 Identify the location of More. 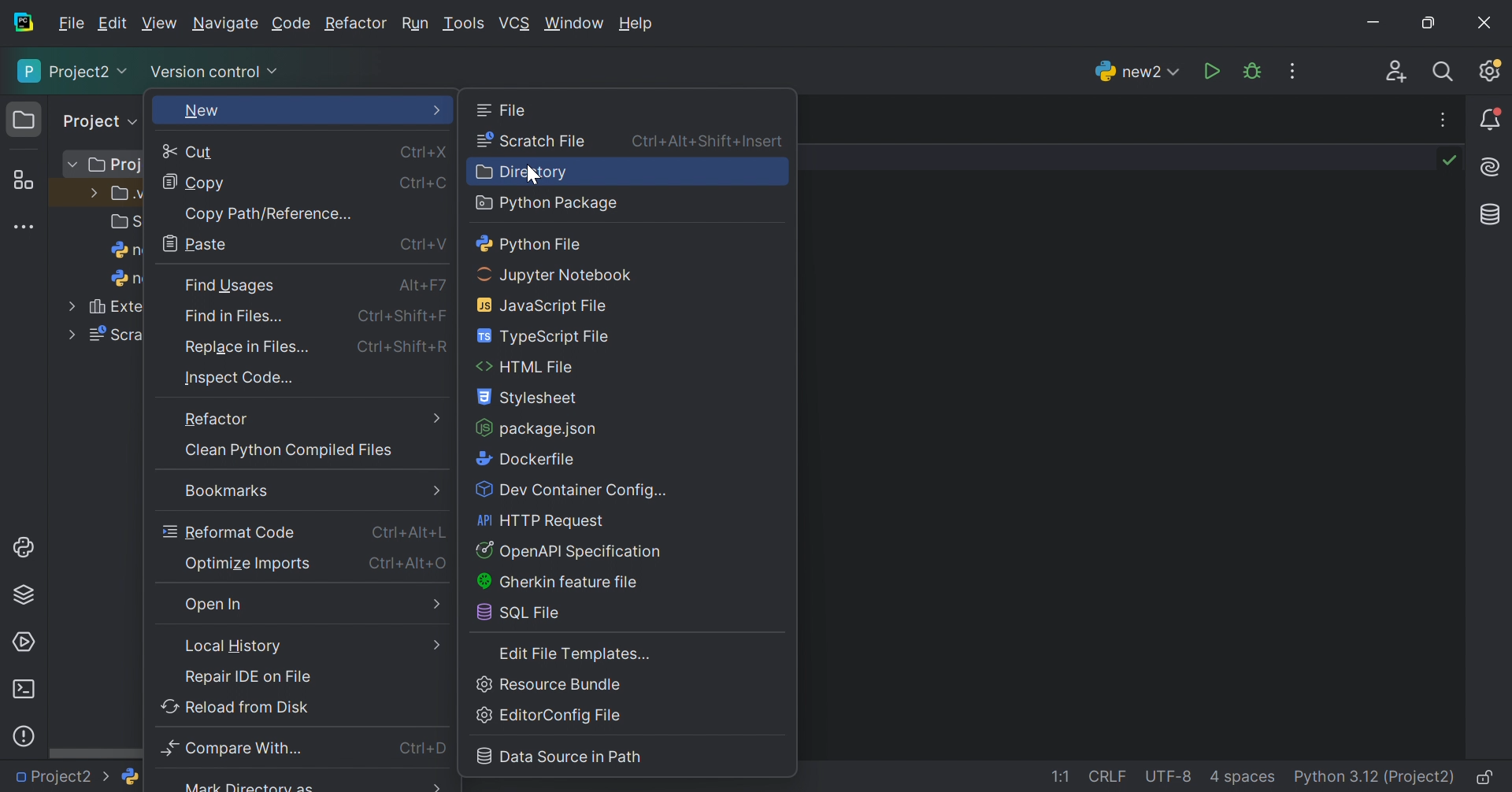
(90, 193).